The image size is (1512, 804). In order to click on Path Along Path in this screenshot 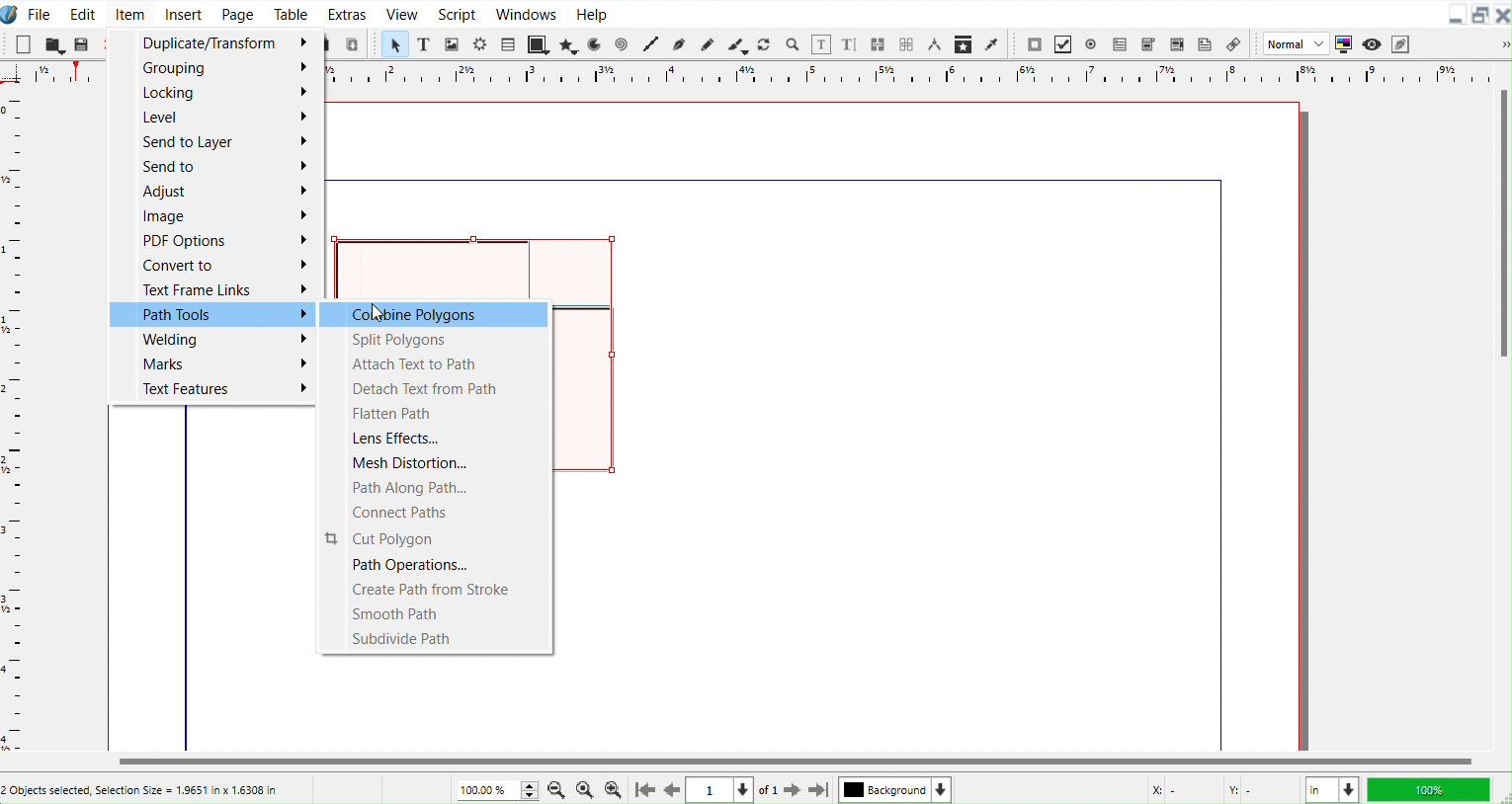, I will do `click(435, 486)`.